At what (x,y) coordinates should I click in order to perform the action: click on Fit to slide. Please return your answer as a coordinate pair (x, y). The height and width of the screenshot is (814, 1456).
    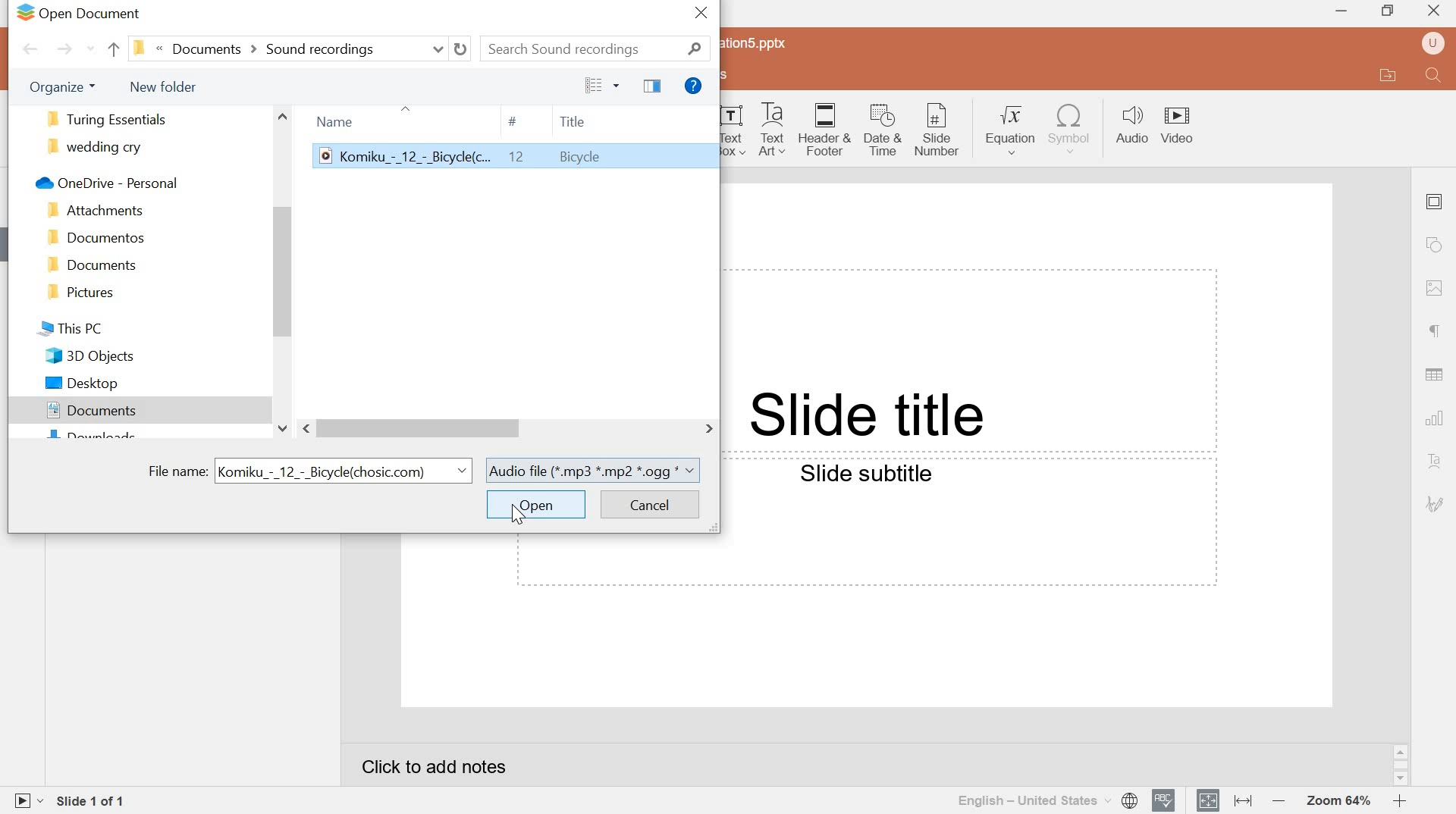
    Looking at the image, I should click on (1209, 799).